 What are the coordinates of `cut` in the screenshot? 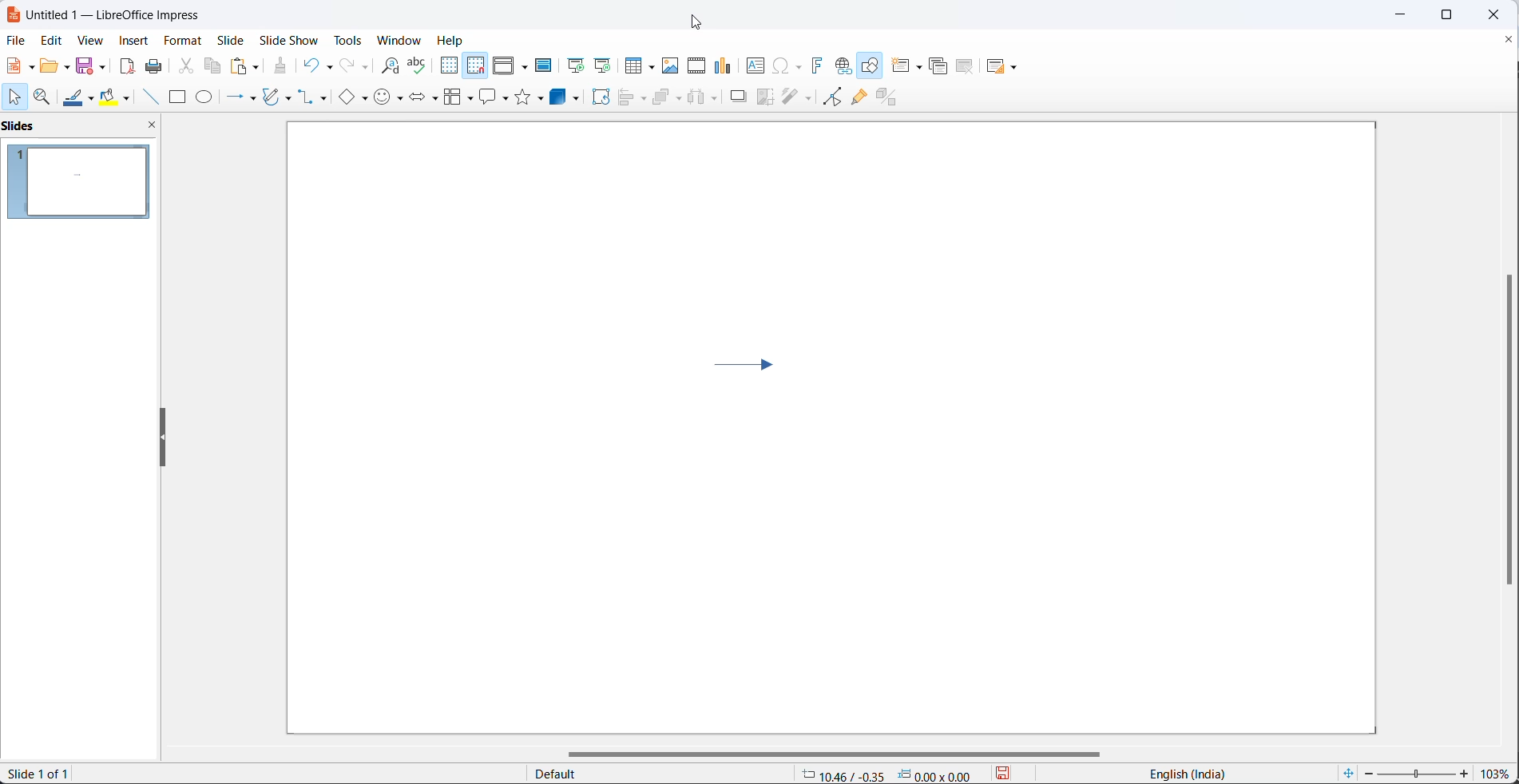 It's located at (185, 65).